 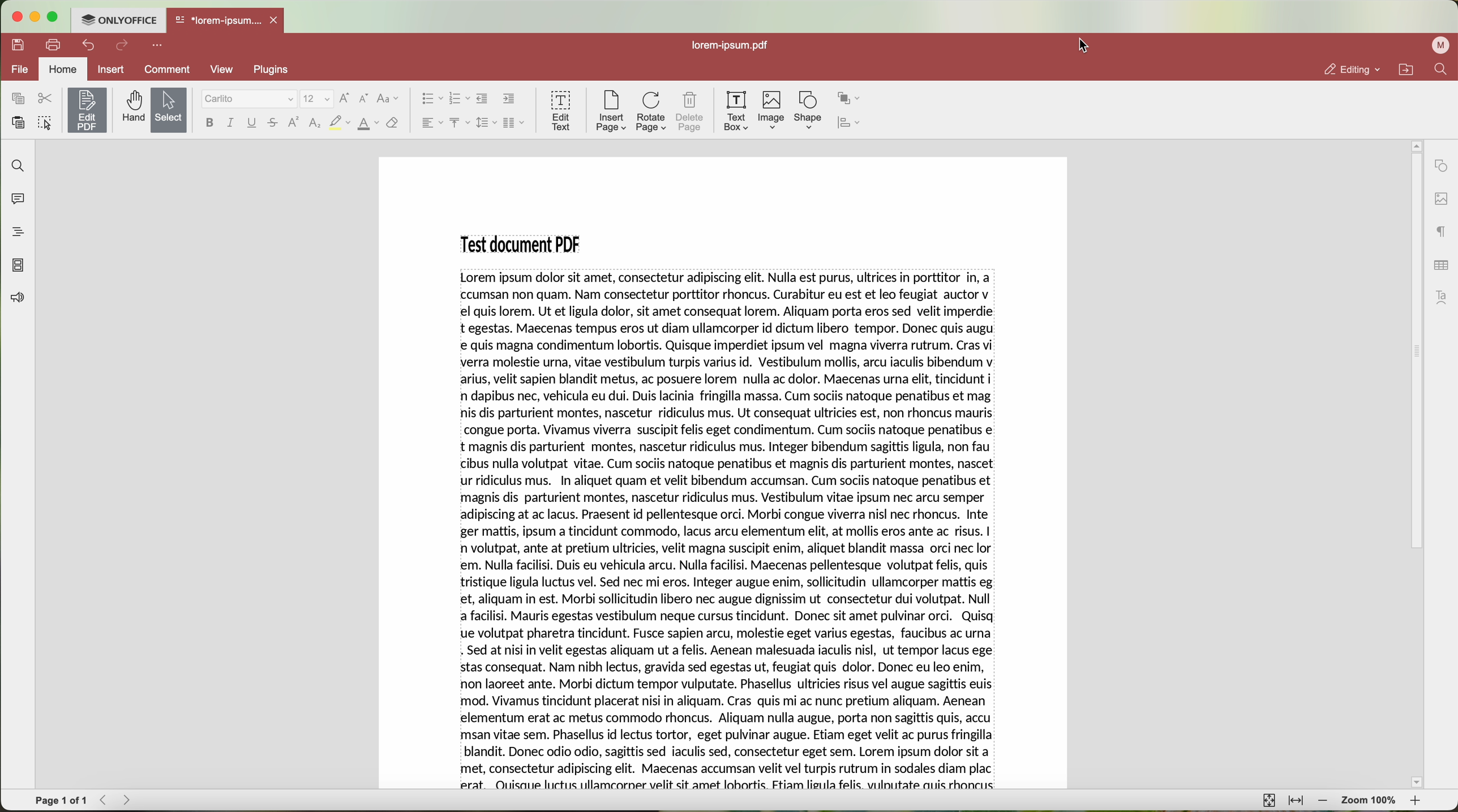 I want to click on image settings, so click(x=1440, y=198).